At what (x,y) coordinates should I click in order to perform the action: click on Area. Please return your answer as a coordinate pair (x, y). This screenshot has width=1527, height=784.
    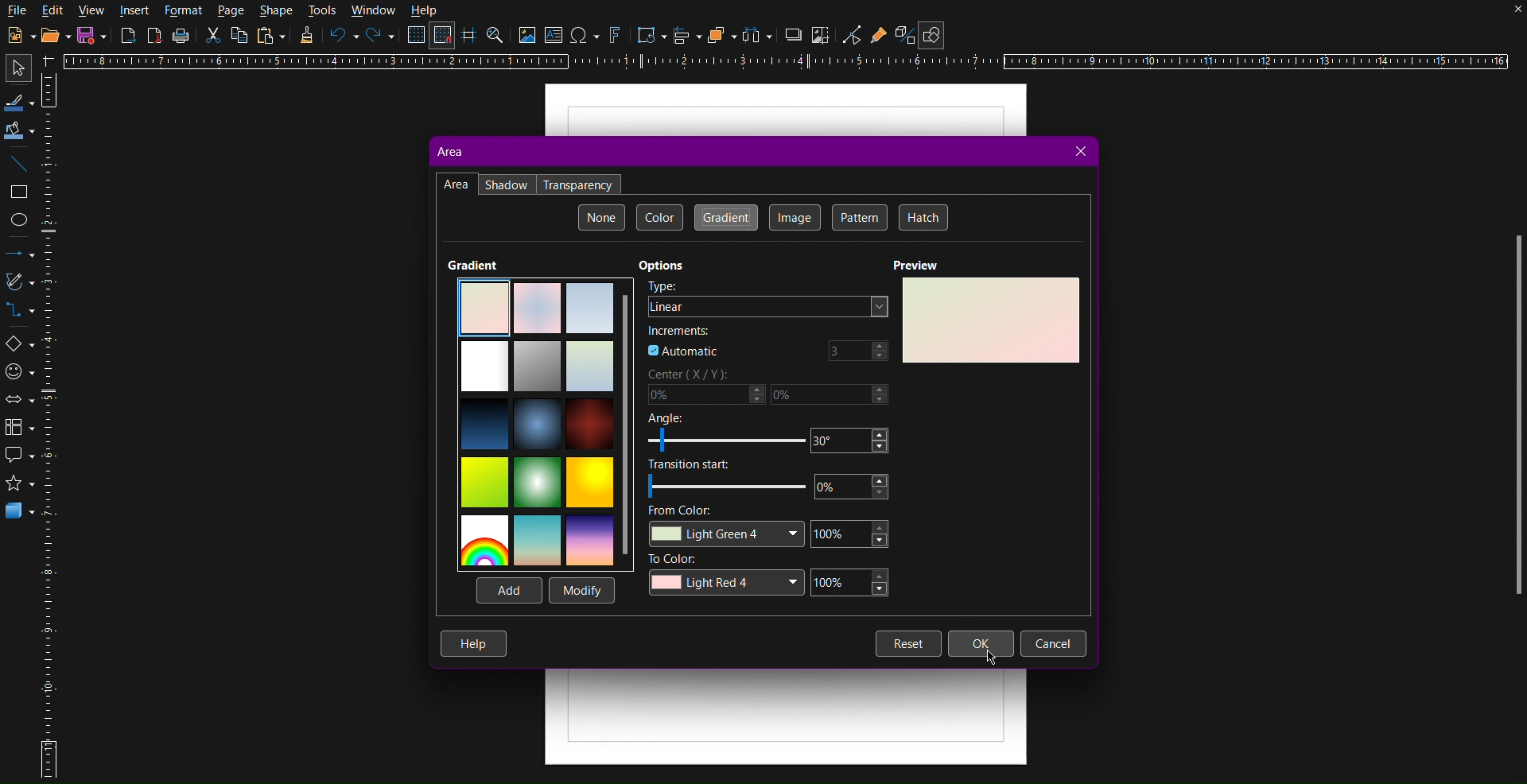
    Looking at the image, I should click on (449, 151).